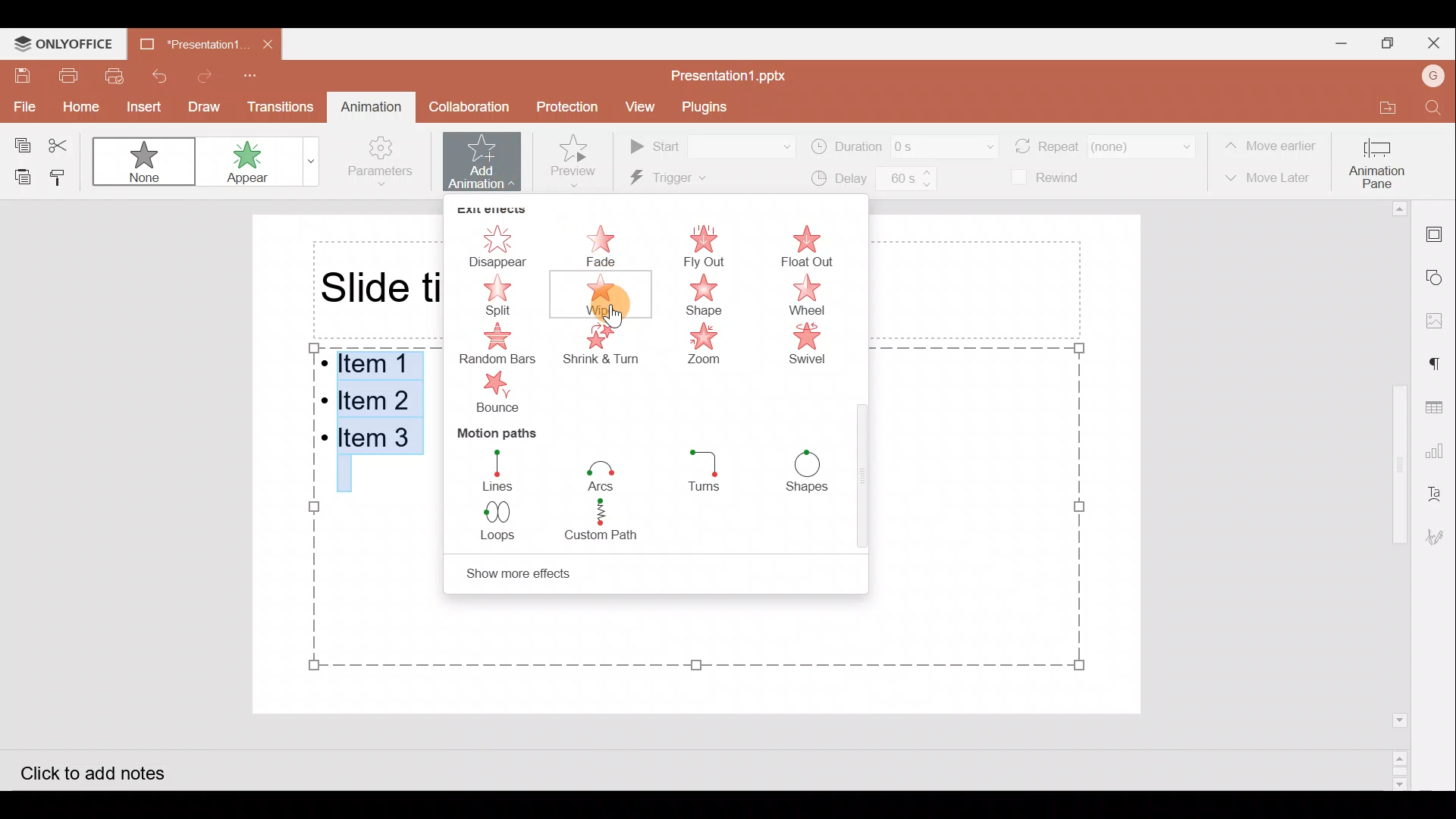 This screenshot has width=1456, height=819. What do you see at coordinates (821, 296) in the screenshot?
I see `Wheel` at bounding box center [821, 296].